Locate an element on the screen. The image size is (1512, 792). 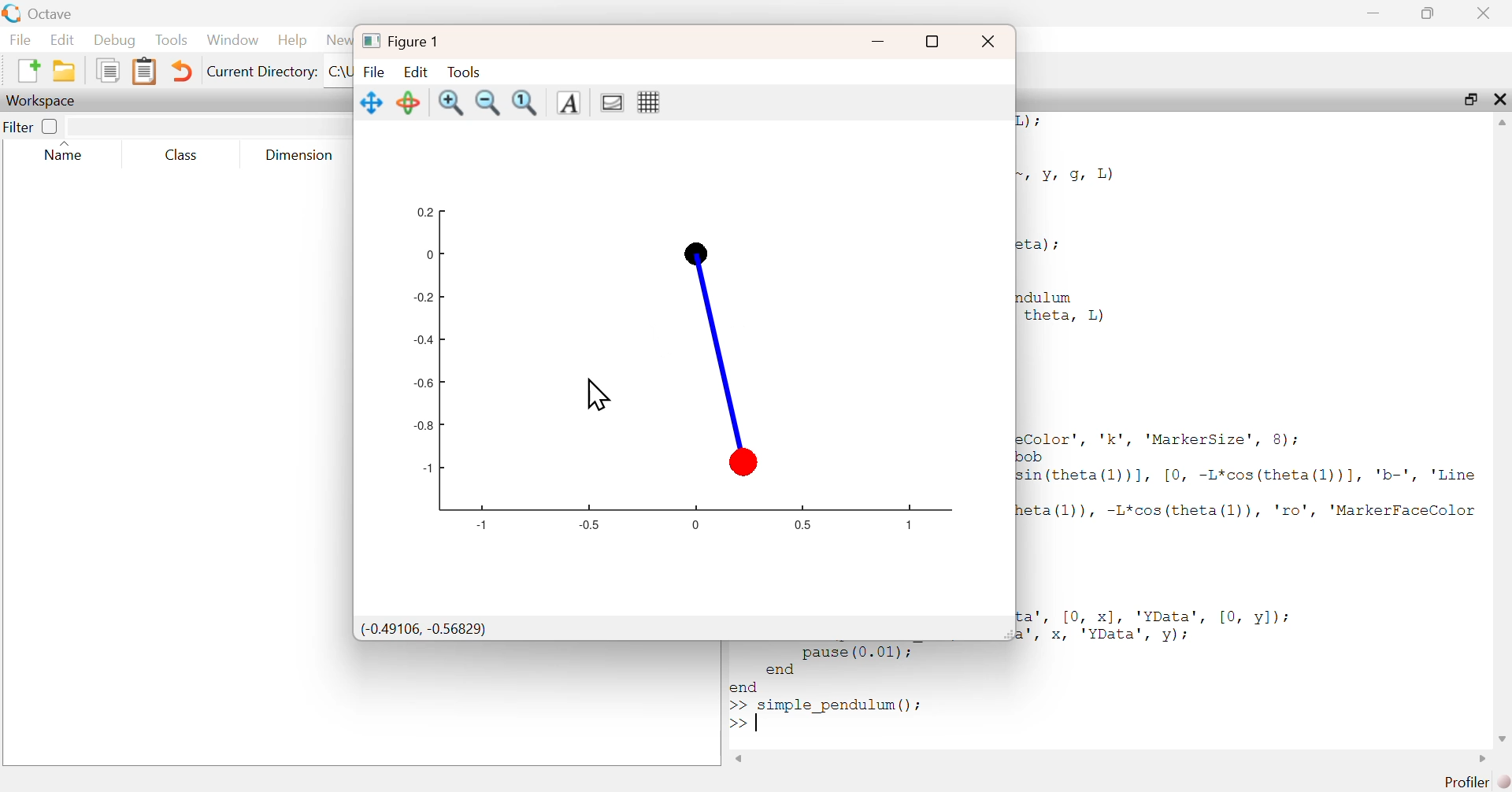
Scroll left is located at coordinates (744, 759).